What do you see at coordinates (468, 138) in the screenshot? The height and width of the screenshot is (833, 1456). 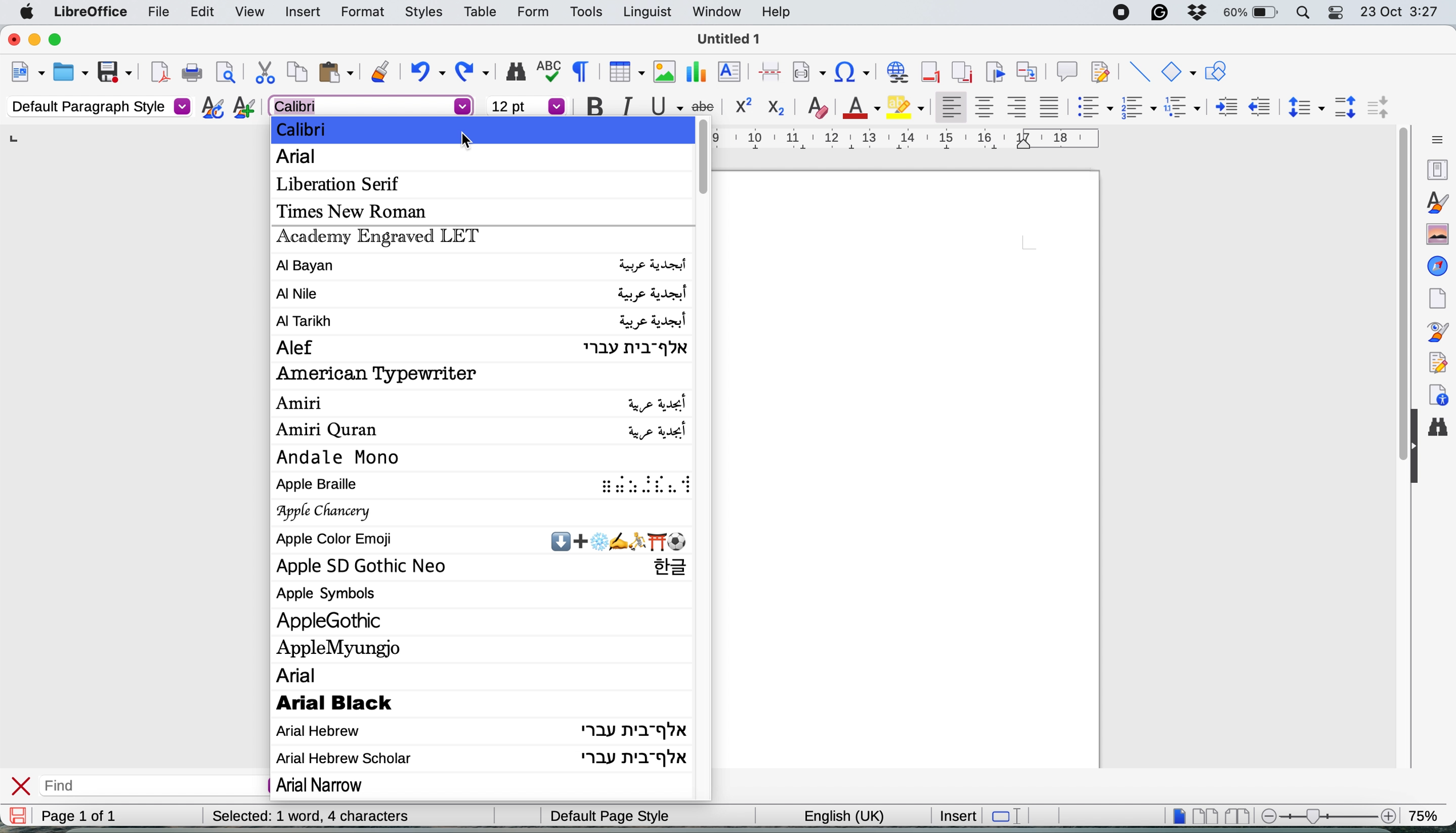 I see `cursor` at bounding box center [468, 138].